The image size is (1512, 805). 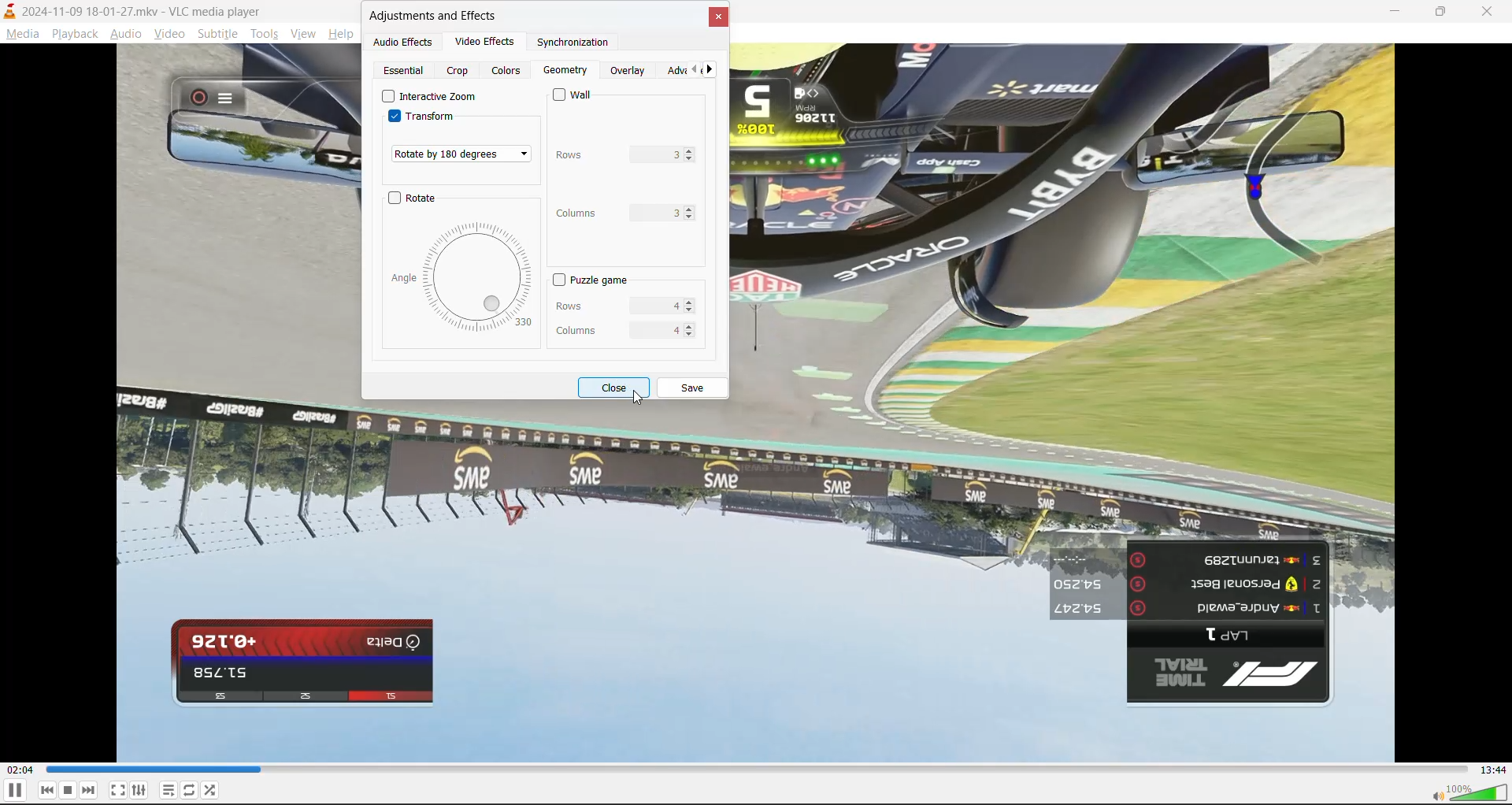 What do you see at coordinates (461, 154) in the screenshot?
I see `transformation set to 180 degrees` at bounding box center [461, 154].